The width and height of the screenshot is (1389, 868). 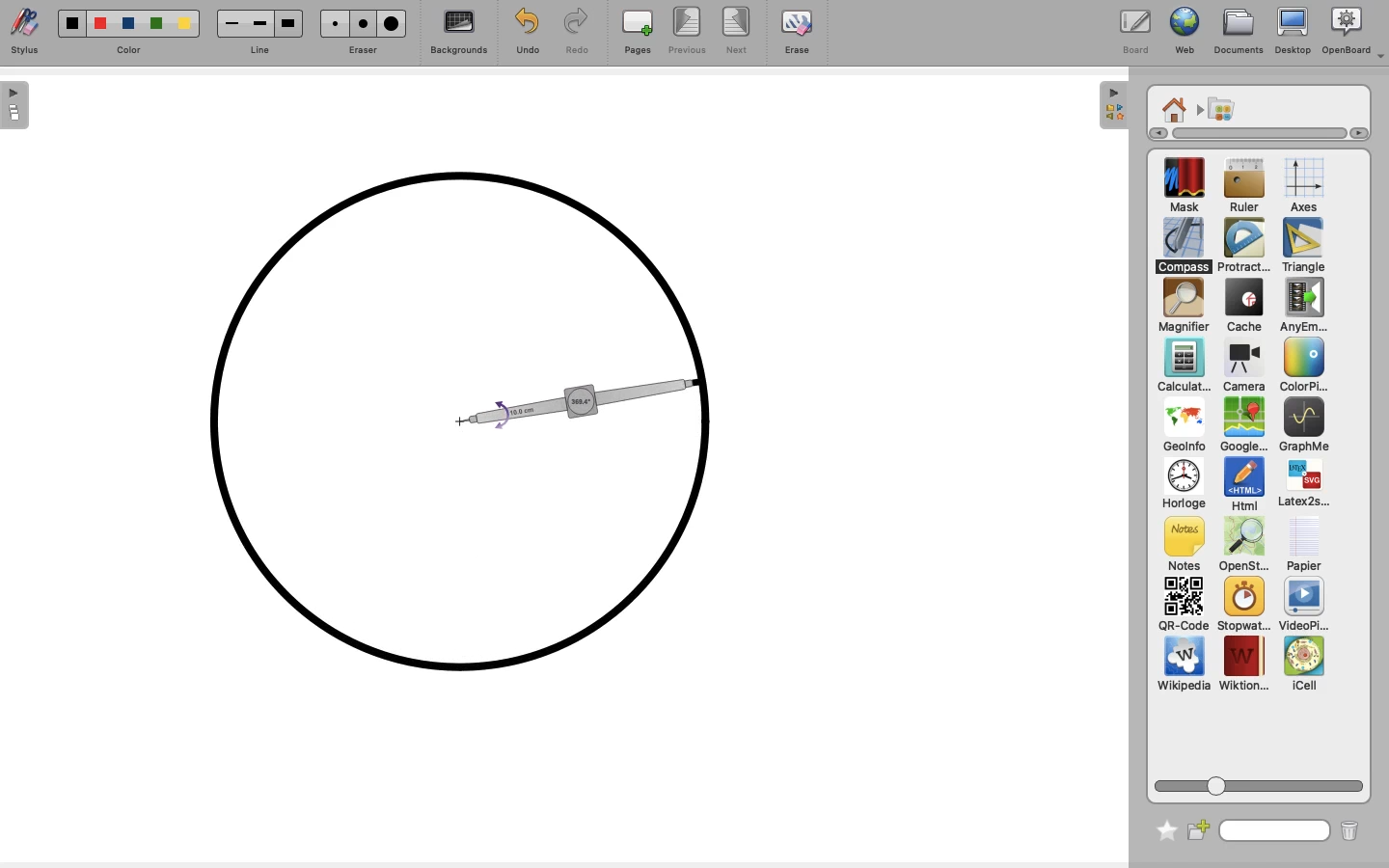 I want to click on Papier, so click(x=1303, y=543).